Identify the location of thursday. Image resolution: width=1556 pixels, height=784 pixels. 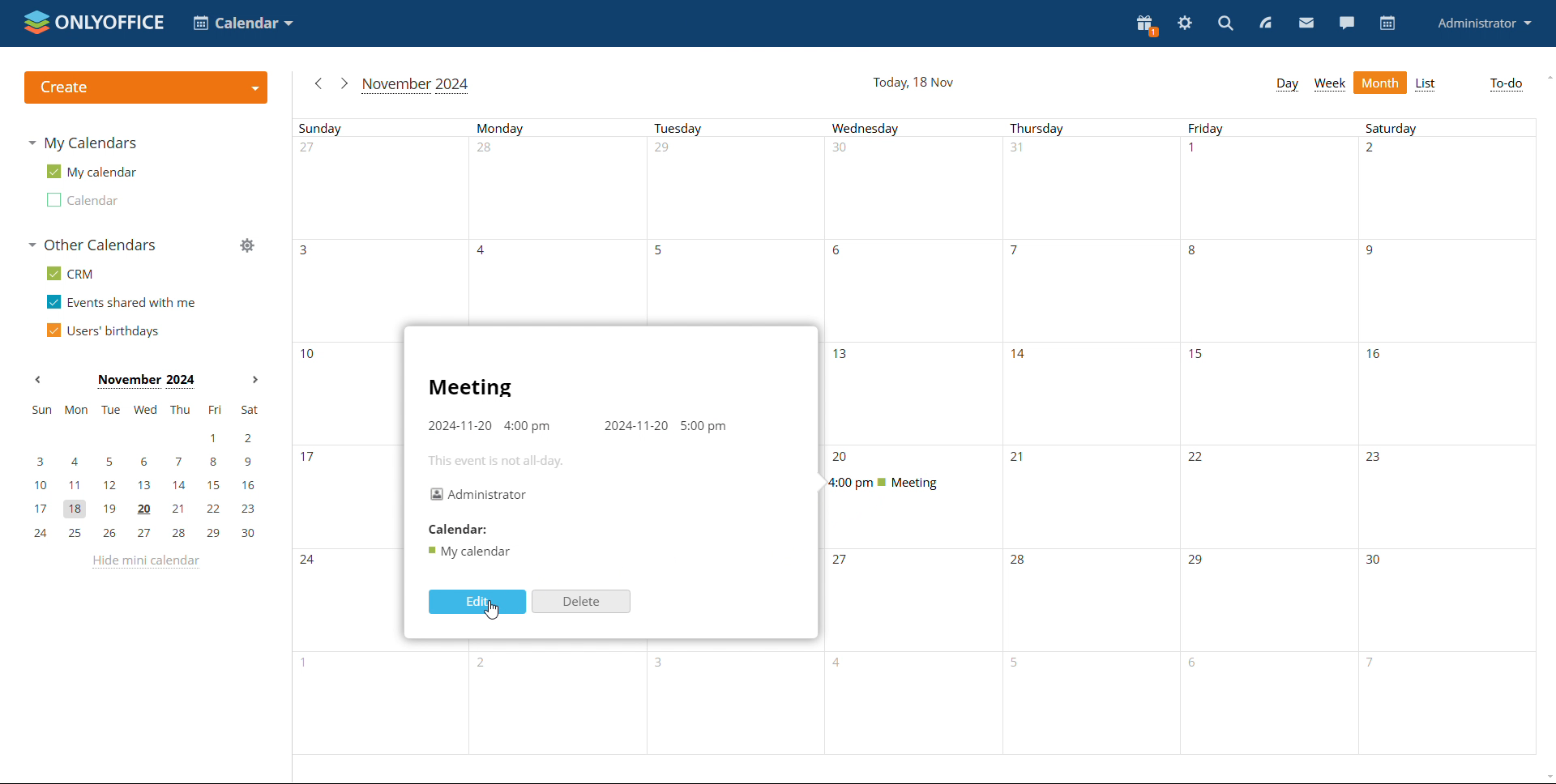
(1092, 437).